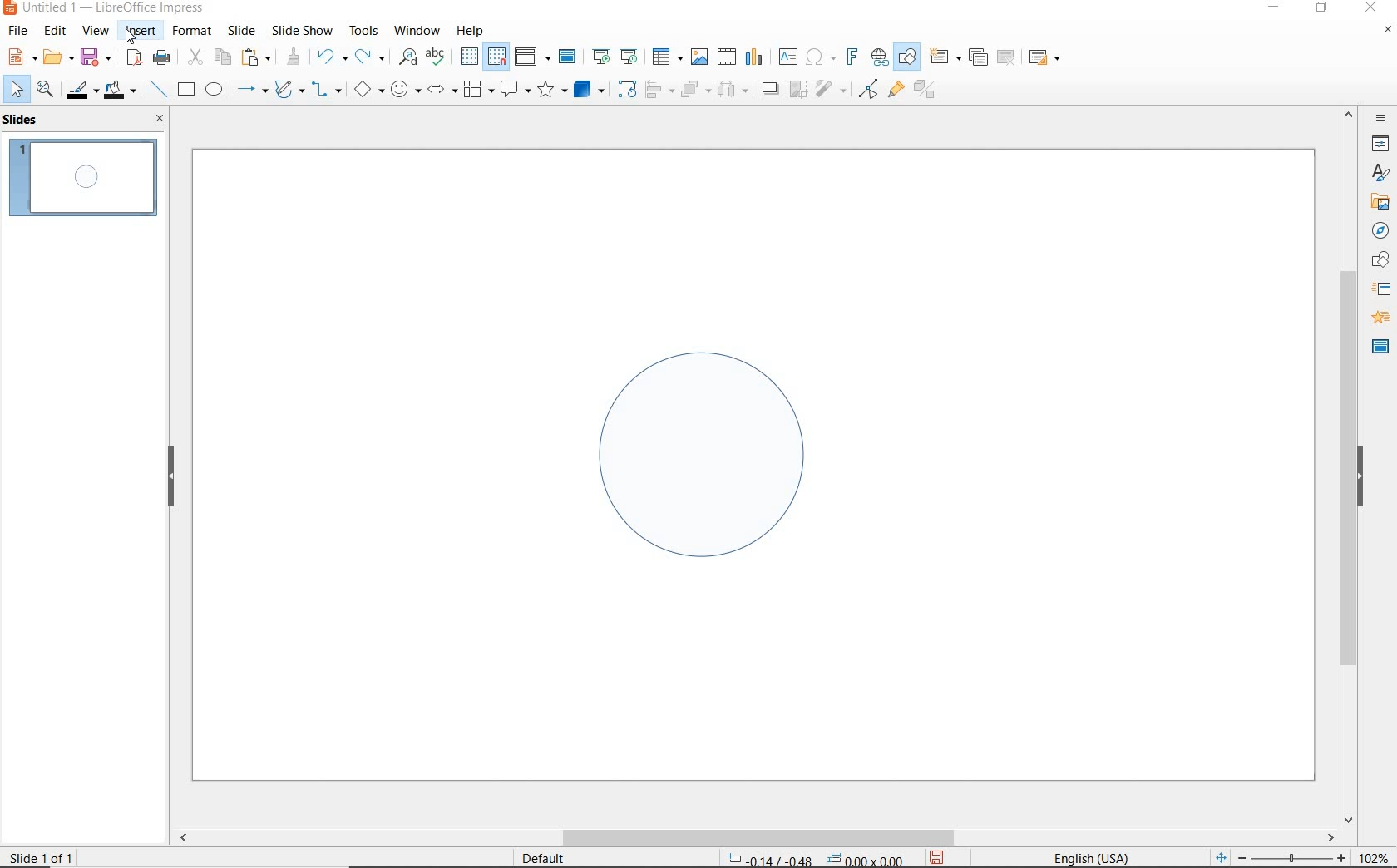  Describe the element at coordinates (698, 57) in the screenshot. I see `insert image` at that location.